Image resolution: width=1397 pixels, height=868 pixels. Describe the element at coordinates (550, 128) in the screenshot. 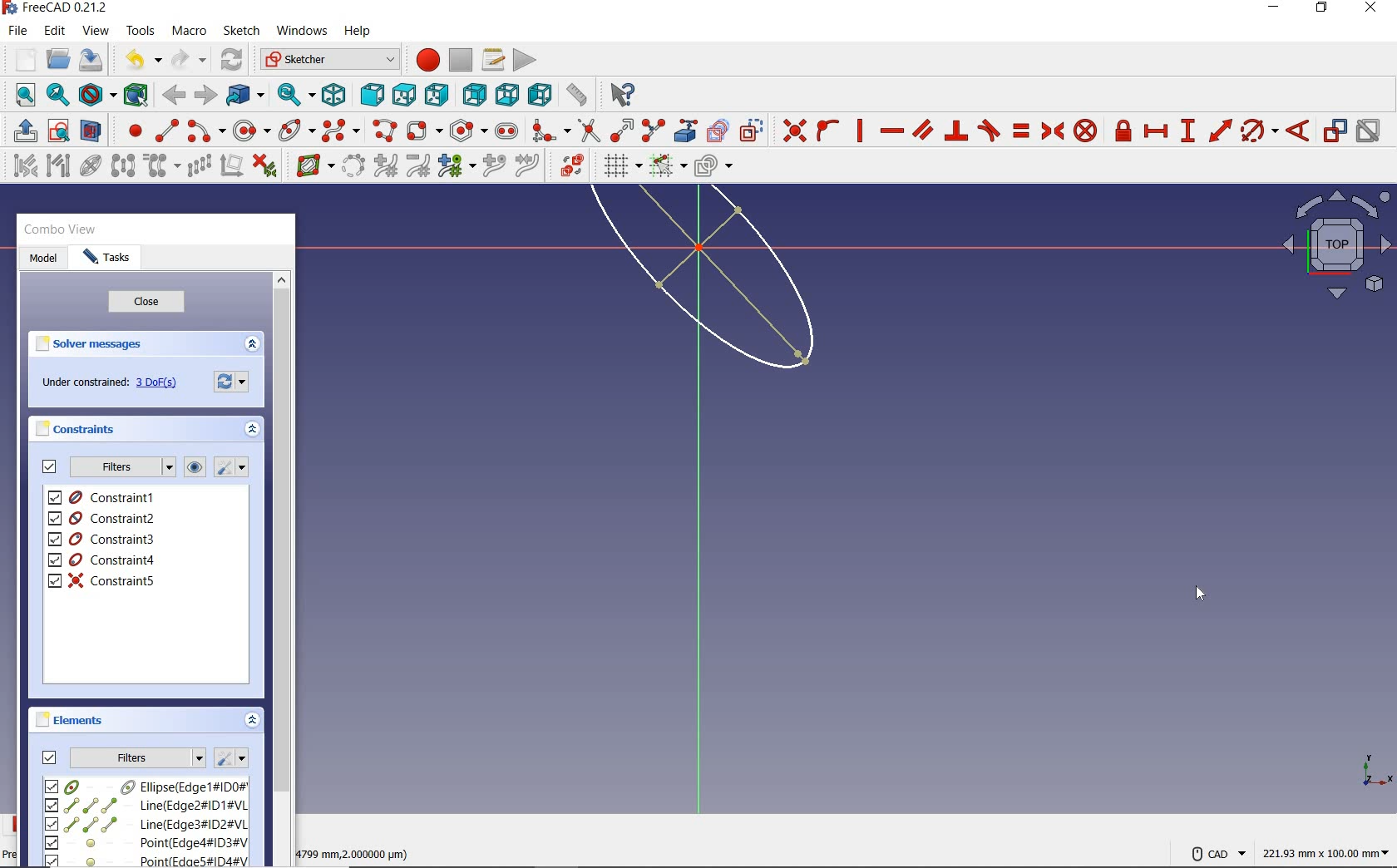

I see `create fillet` at that location.